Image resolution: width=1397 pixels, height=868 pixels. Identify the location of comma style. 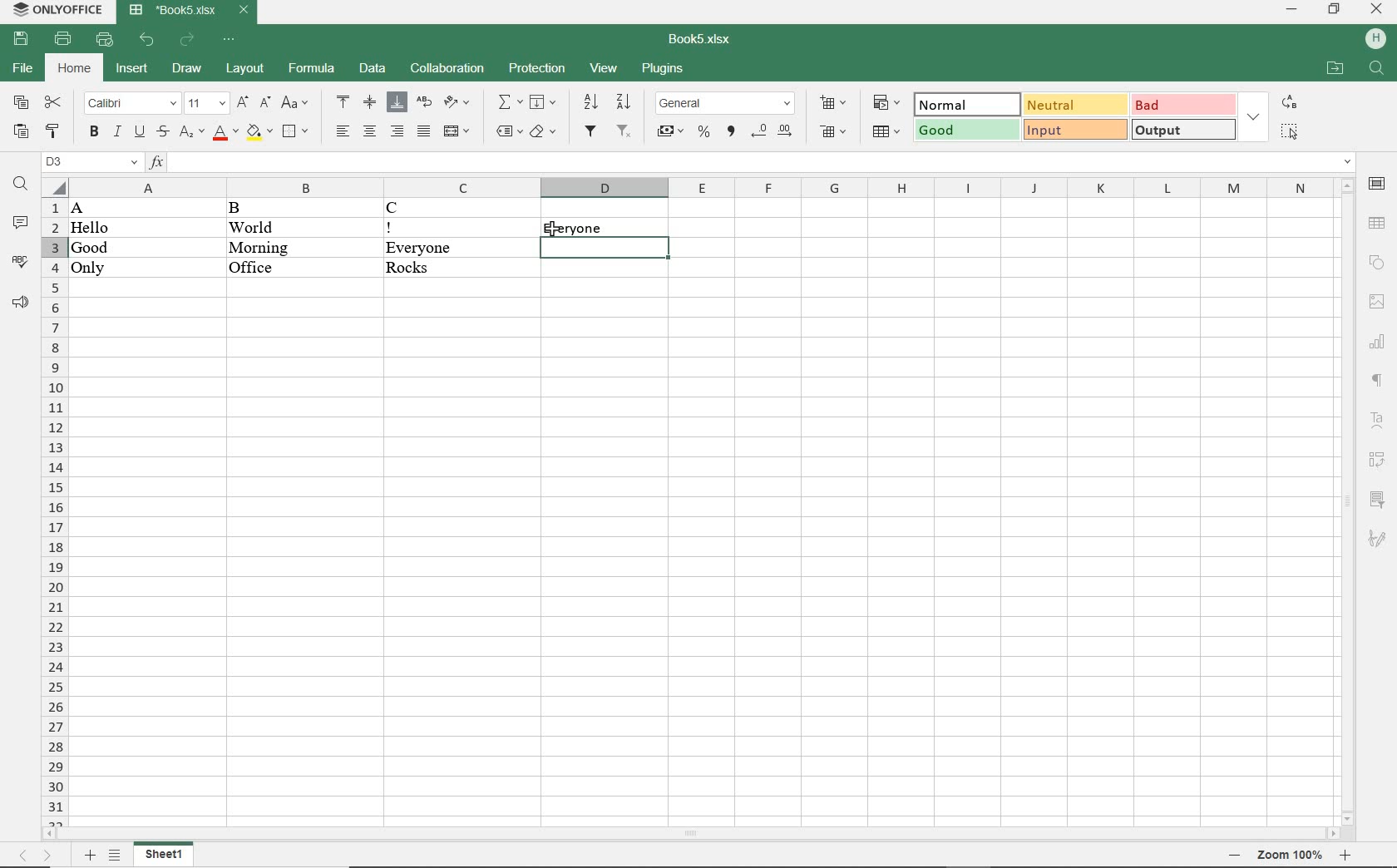
(731, 133).